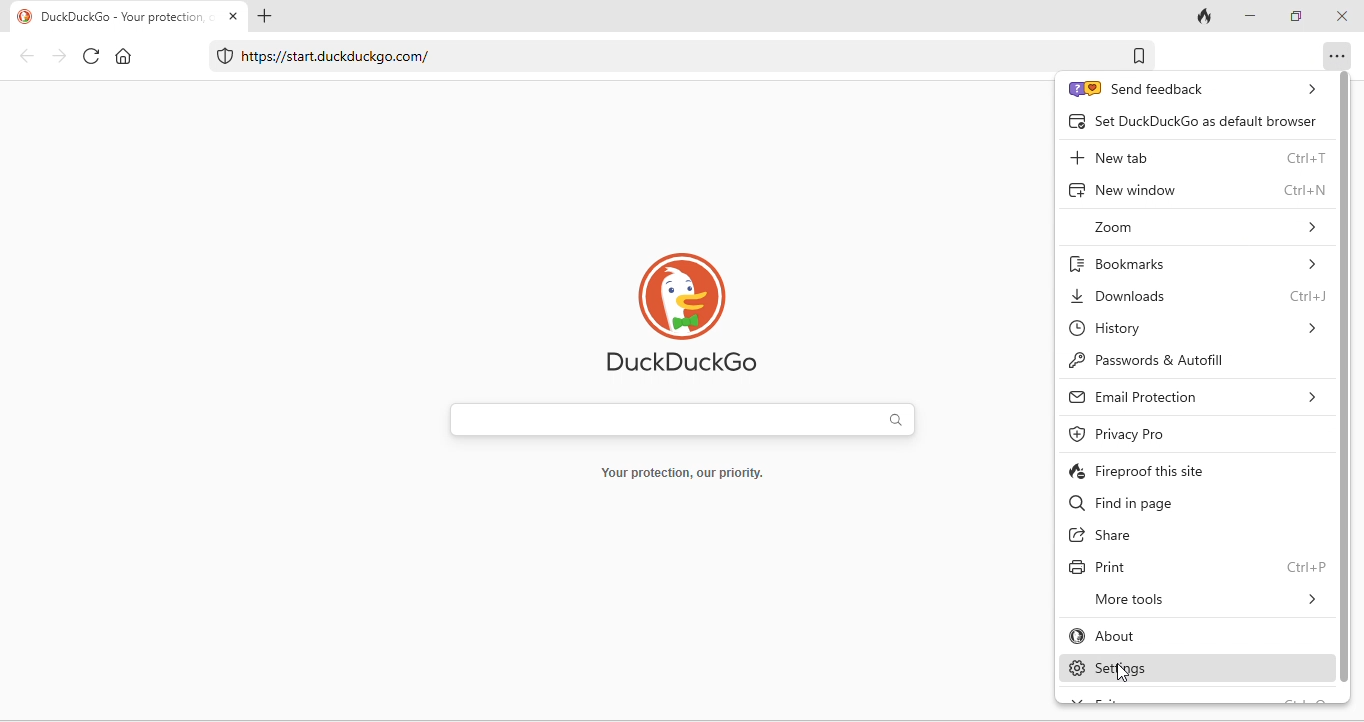  I want to click on settings, so click(1166, 669).